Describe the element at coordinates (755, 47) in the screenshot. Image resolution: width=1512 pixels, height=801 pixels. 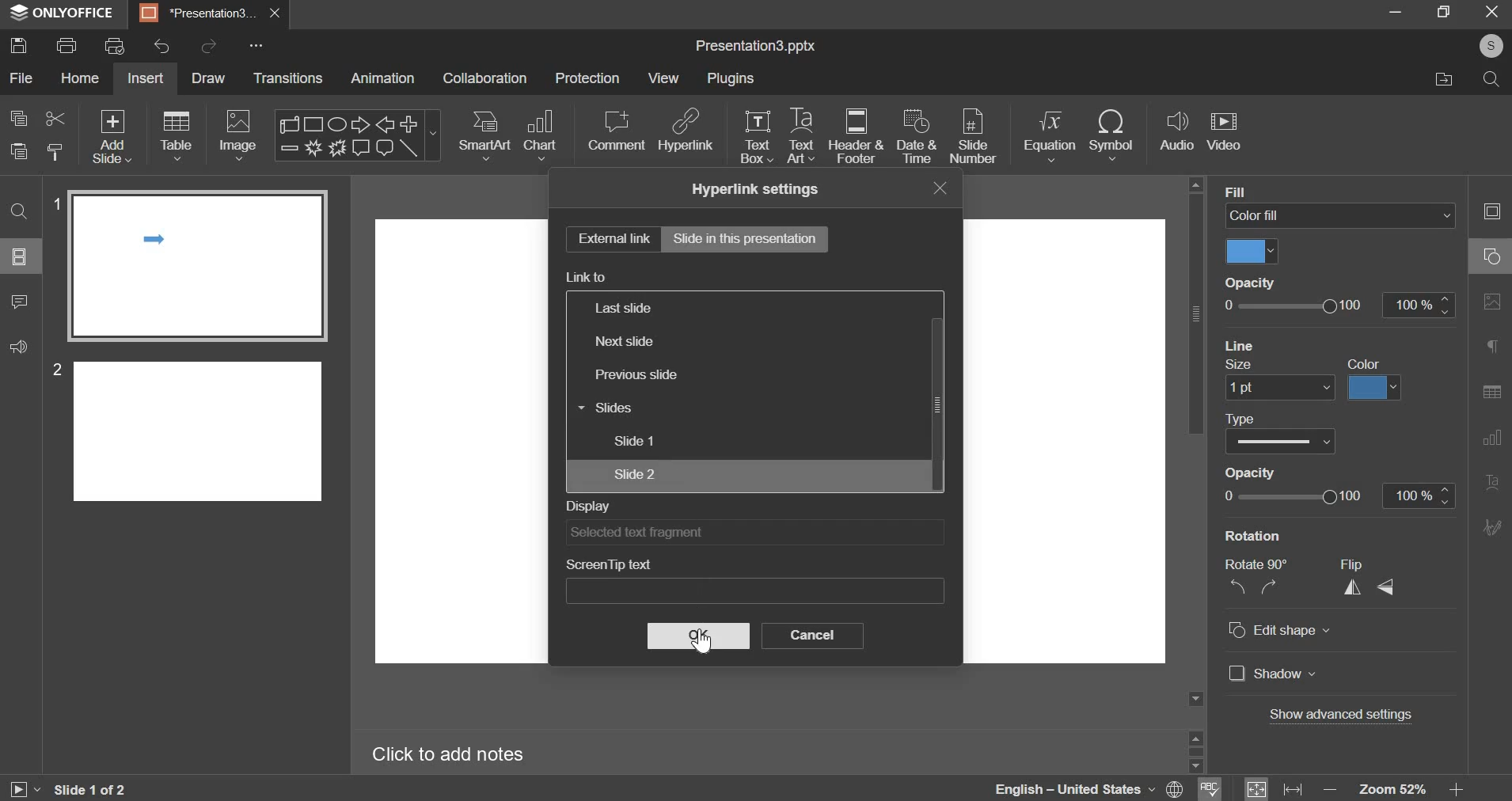
I see `presentation name` at that location.